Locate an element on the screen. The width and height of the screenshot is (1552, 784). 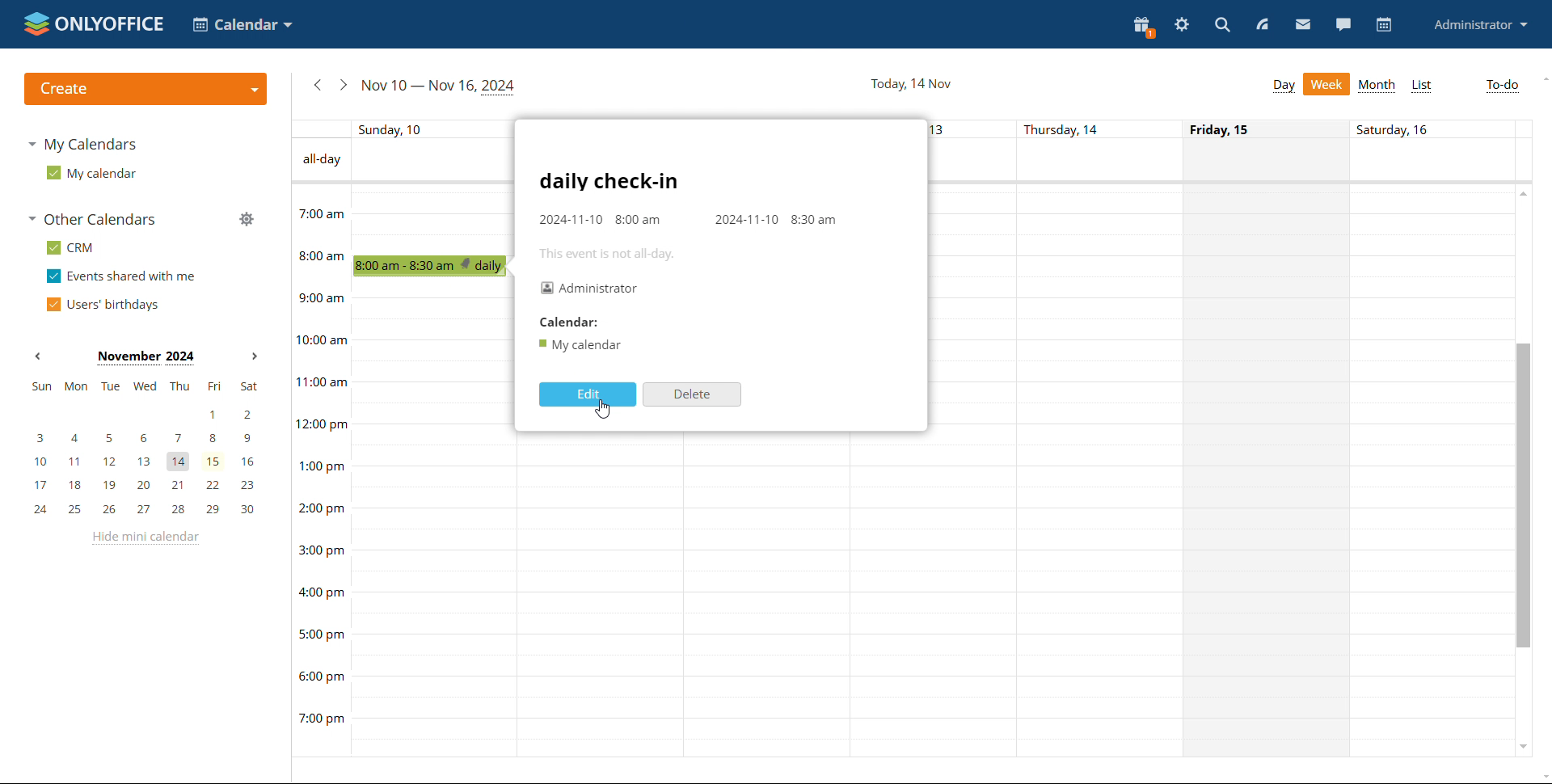
calendar is located at coordinates (579, 345).